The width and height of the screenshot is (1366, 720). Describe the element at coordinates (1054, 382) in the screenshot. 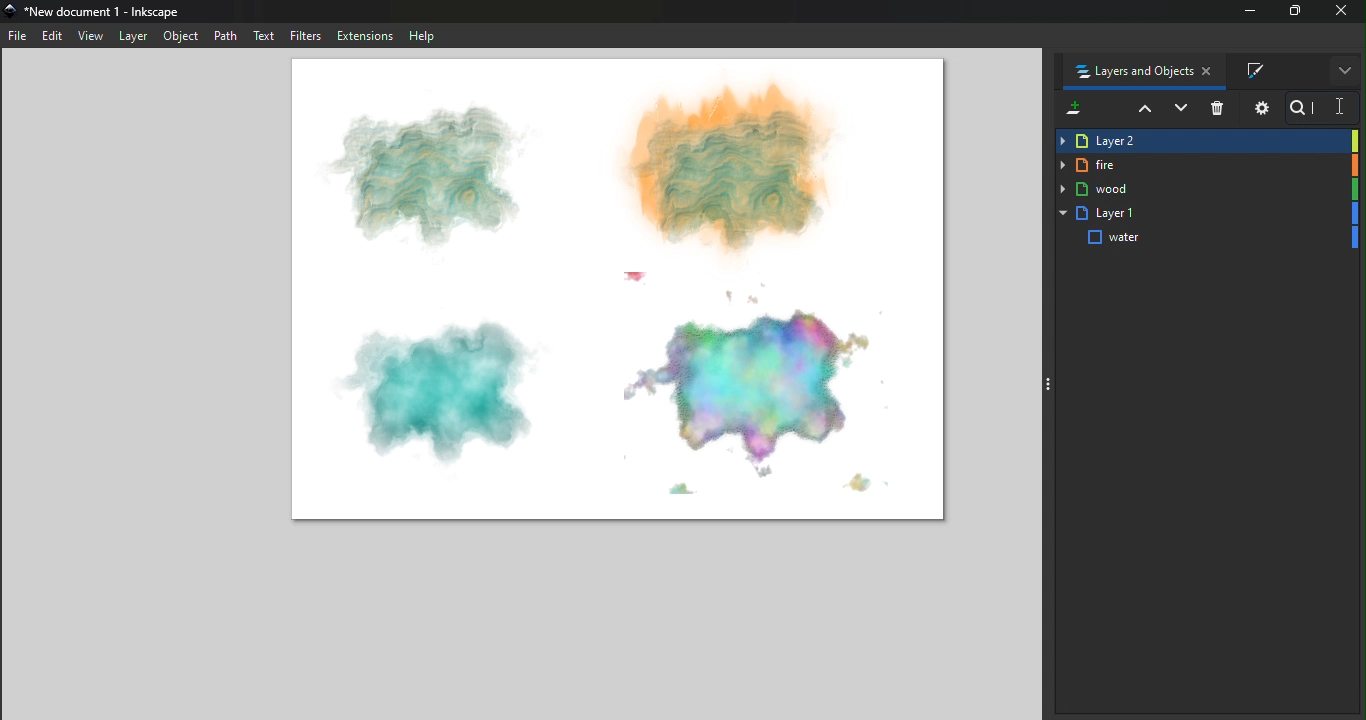

I see `Toggle command panel` at that location.